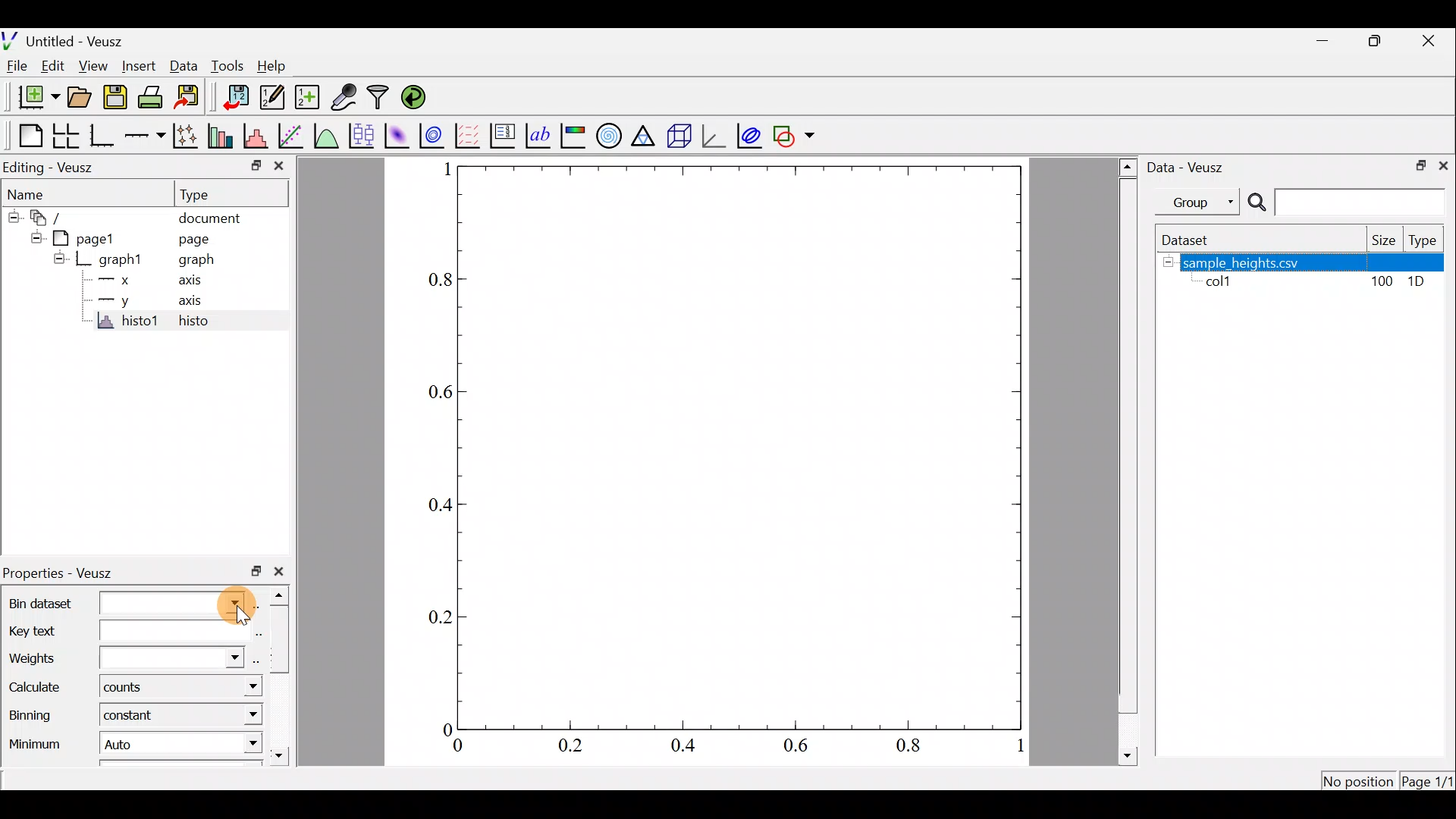 Image resolution: width=1456 pixels, height=819 pixels. I want to click on minimum dropdown, so click(236, 745).